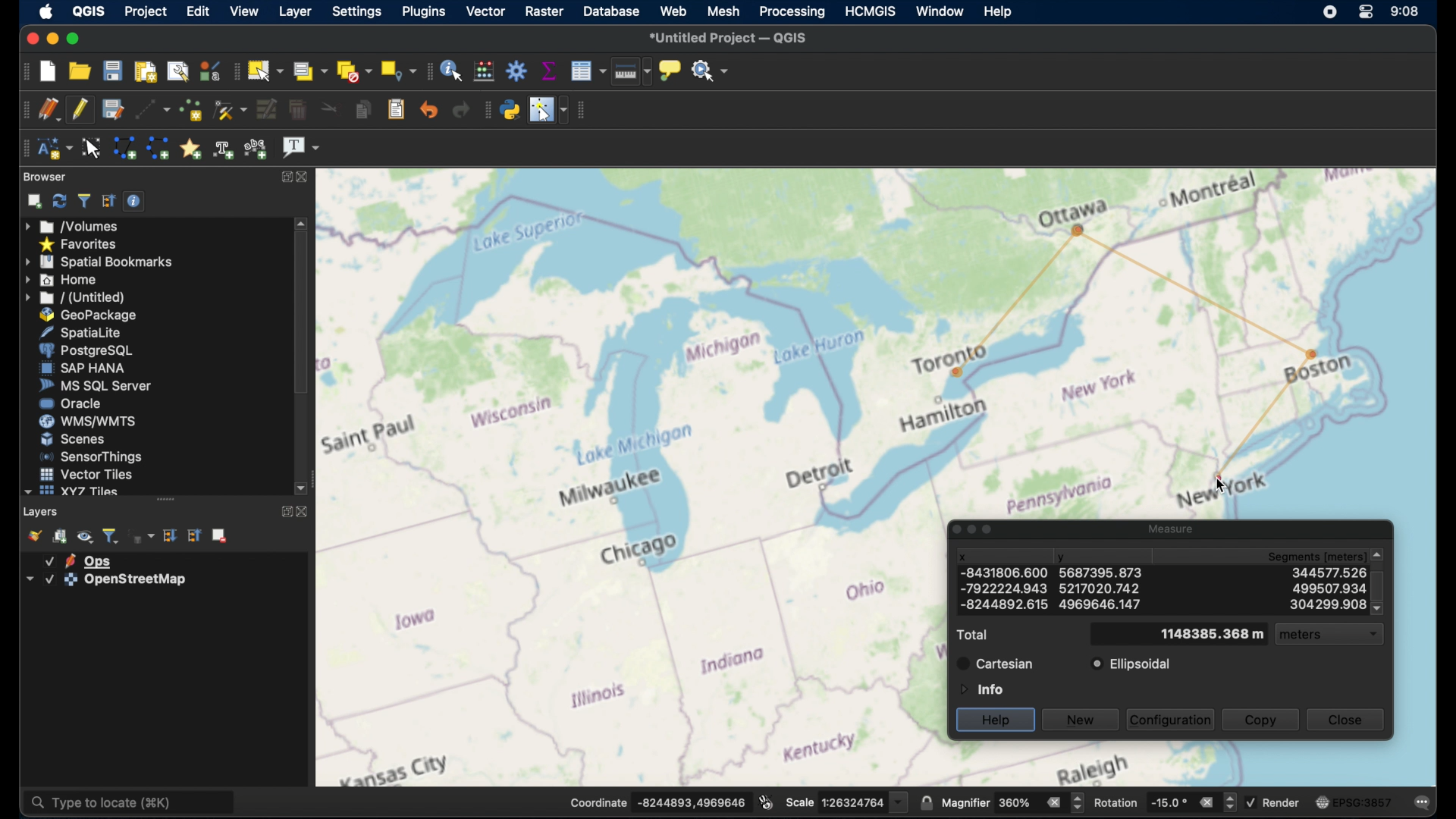 Image resolution: width=1456 pixels, height=819 pixels. I want to click on paste features, so click(397, 110).